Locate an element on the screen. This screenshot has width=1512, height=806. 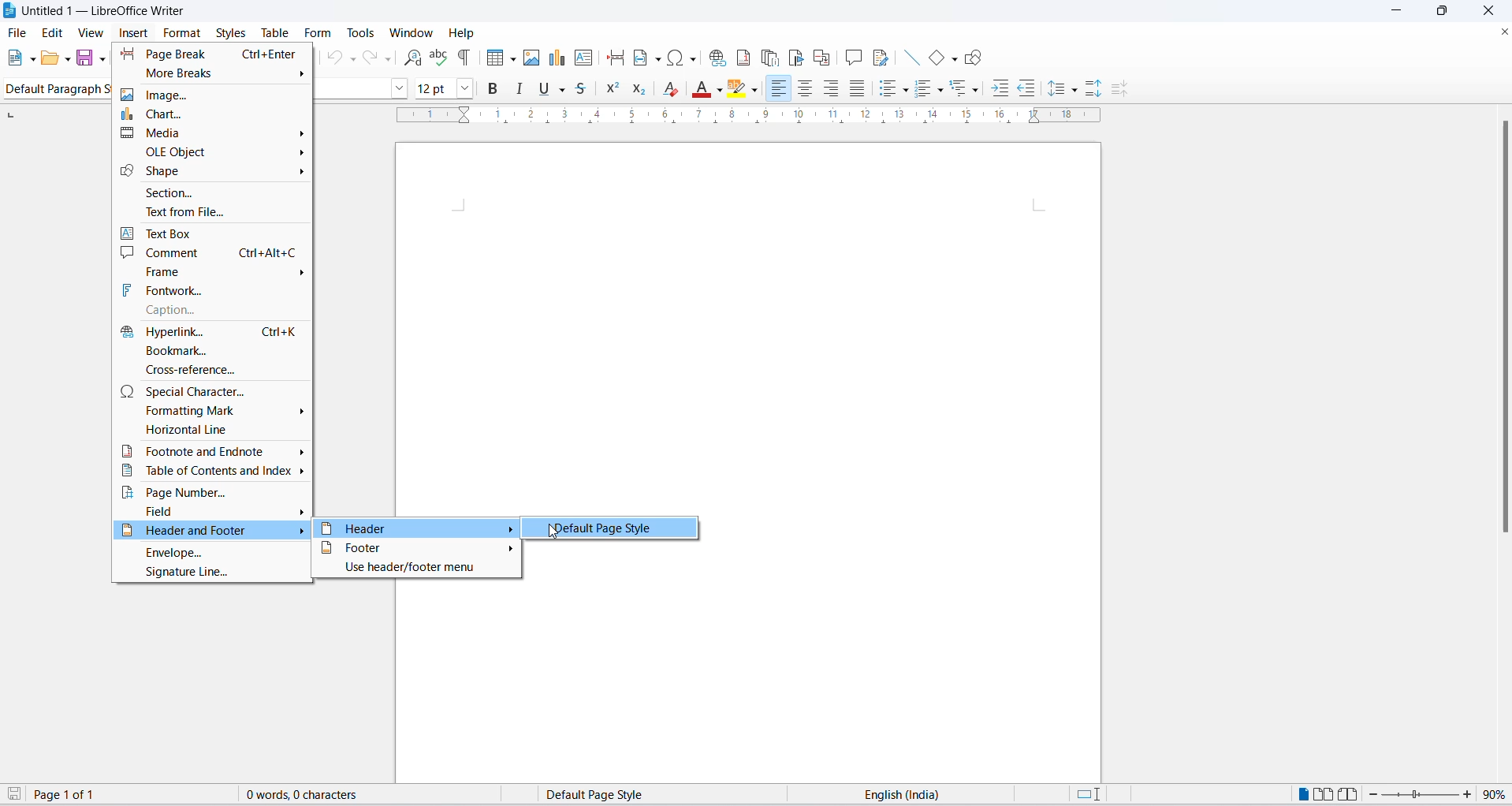
outline format options is located at coordinates (975, 91).